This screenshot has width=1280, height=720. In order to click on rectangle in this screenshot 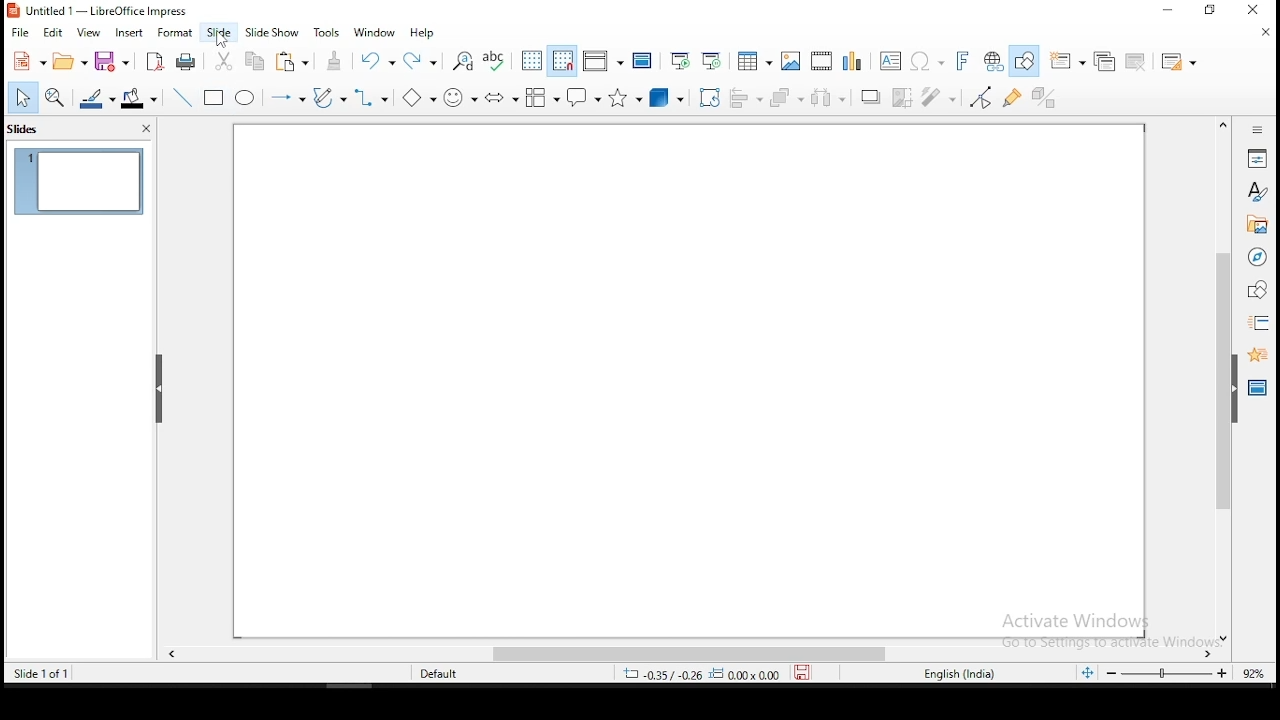, I will do `click(213, 97)`.